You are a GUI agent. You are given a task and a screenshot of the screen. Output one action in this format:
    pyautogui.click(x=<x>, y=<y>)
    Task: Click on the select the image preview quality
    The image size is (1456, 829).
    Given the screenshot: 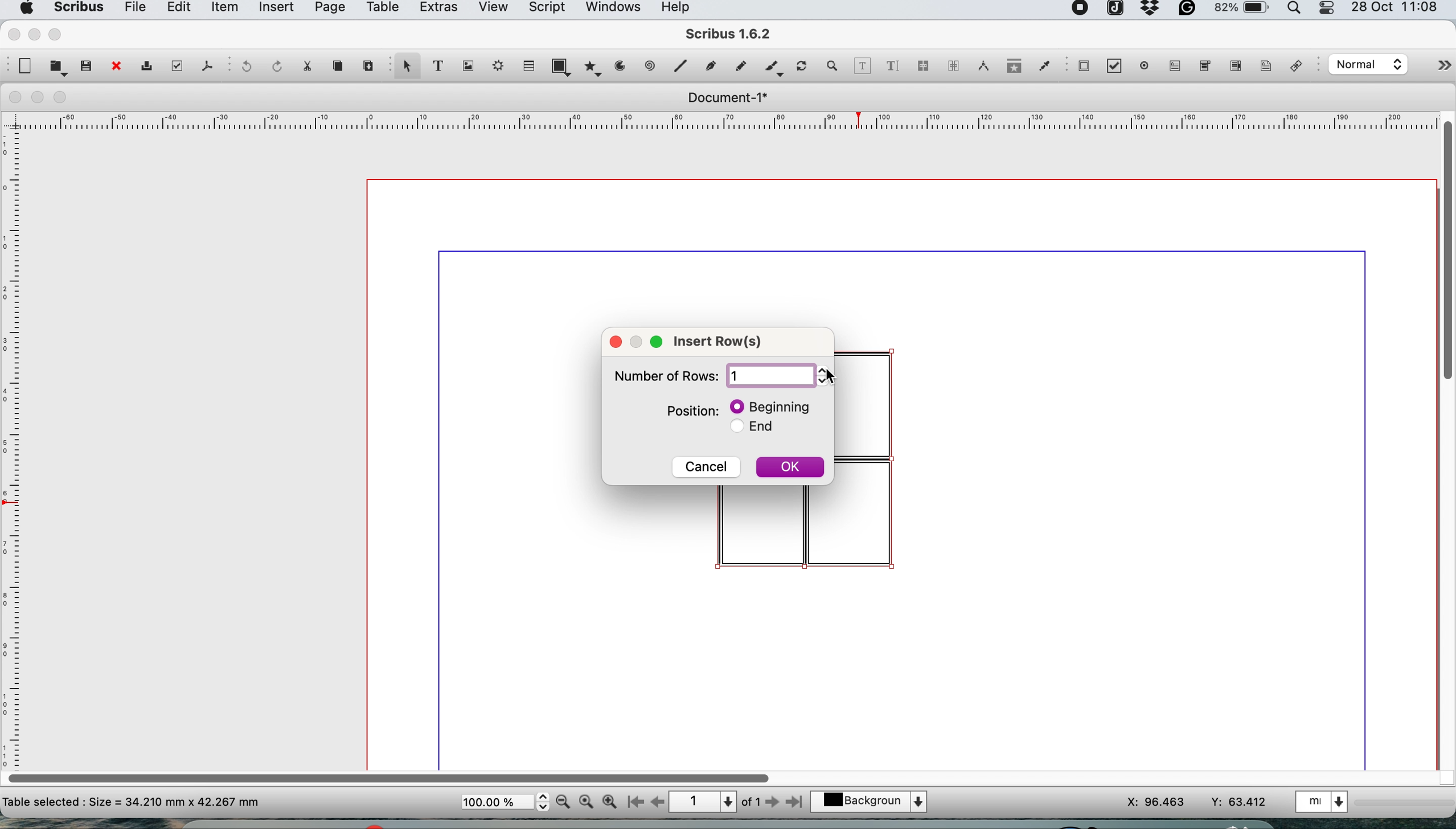 What is the action you would take?
    pyautogui.click(x=1365, y=64)
    